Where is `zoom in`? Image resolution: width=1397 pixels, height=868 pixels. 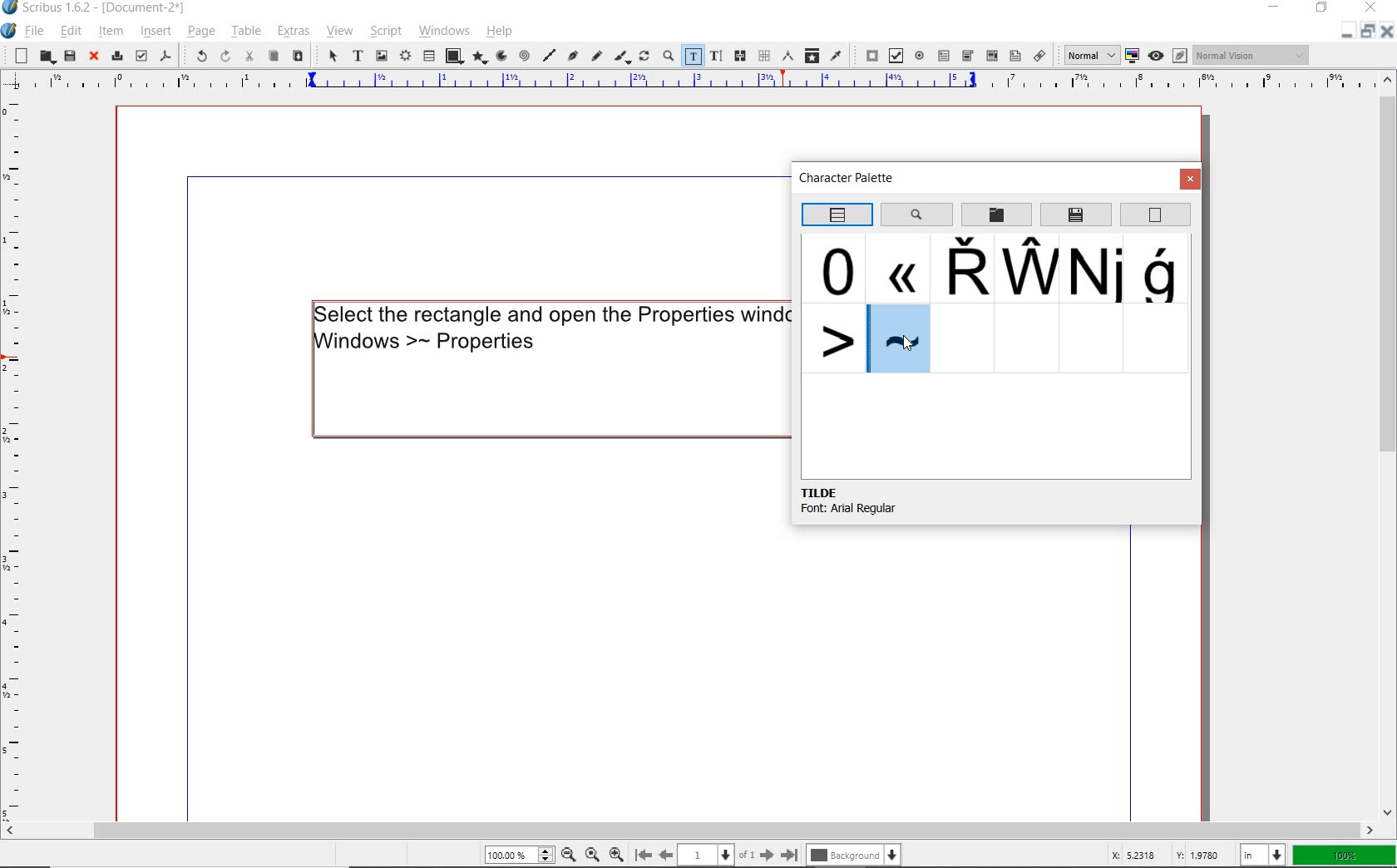
zoom in is located at coordinates (616, 852).